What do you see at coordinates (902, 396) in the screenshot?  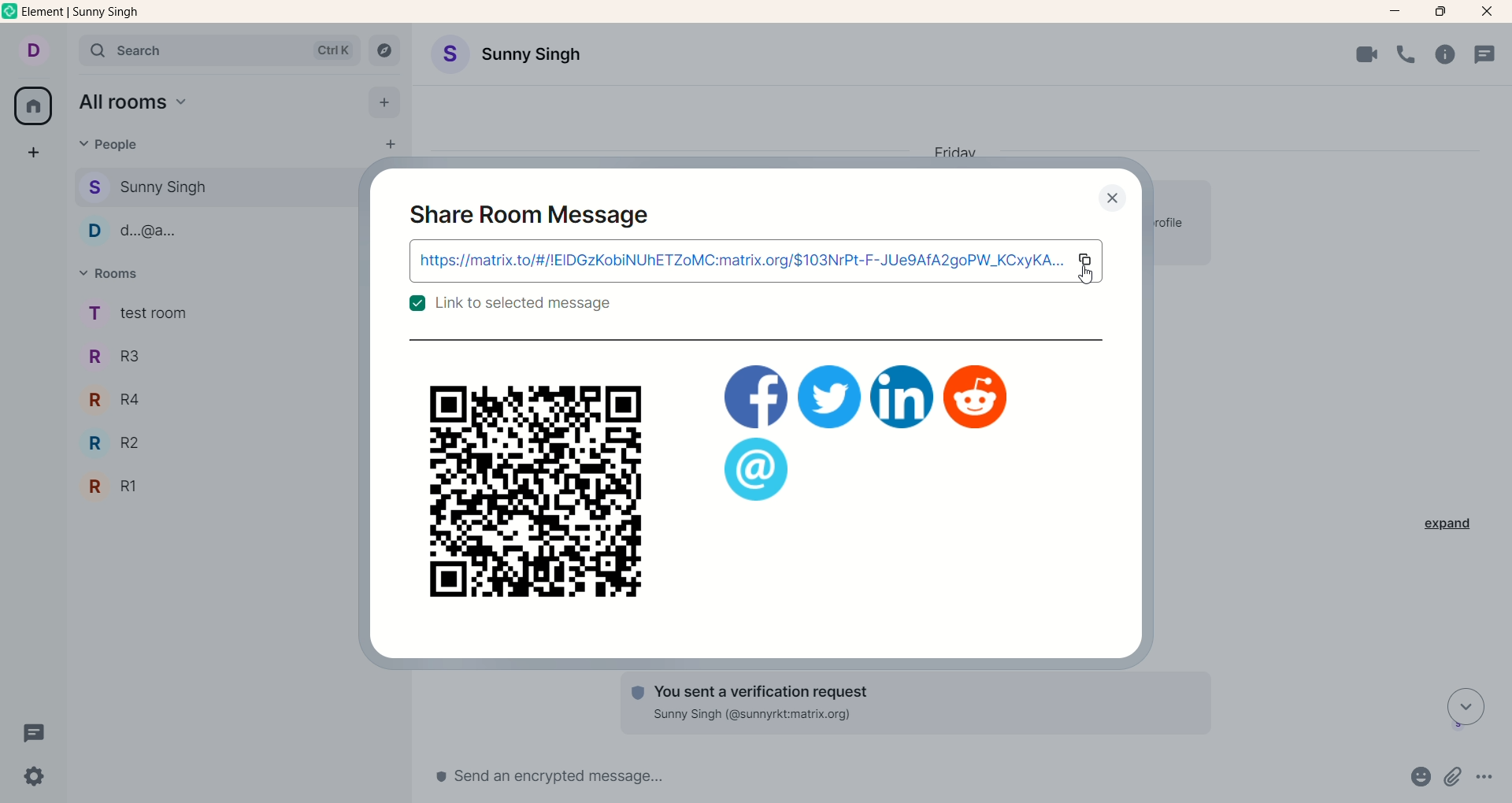 I see `` at bounding box center [902, 396].